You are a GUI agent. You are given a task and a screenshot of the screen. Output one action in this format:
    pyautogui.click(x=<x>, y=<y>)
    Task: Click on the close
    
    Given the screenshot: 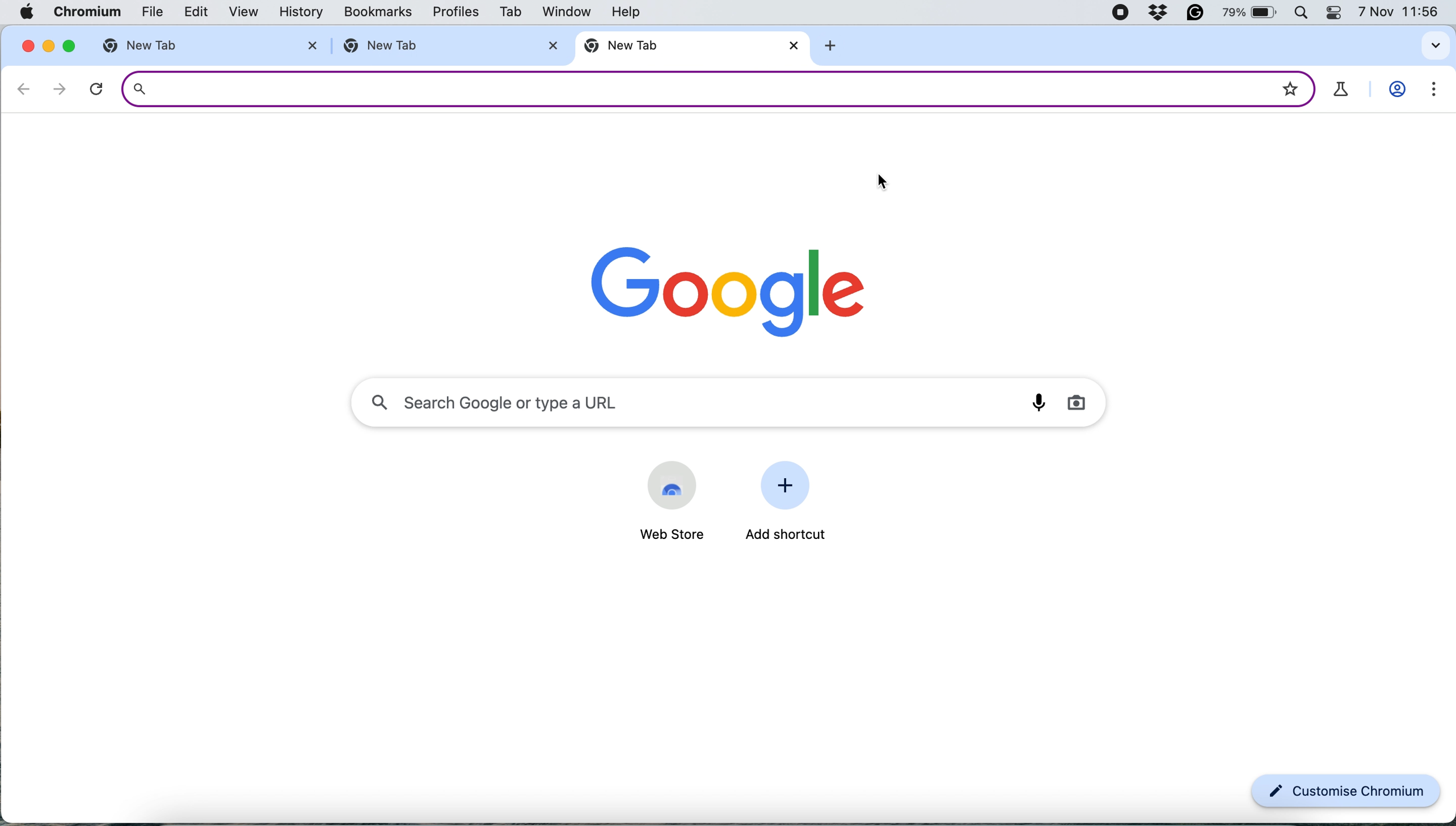 What is the action you would take?
    pyautogui.click(x=796, y=47)
    